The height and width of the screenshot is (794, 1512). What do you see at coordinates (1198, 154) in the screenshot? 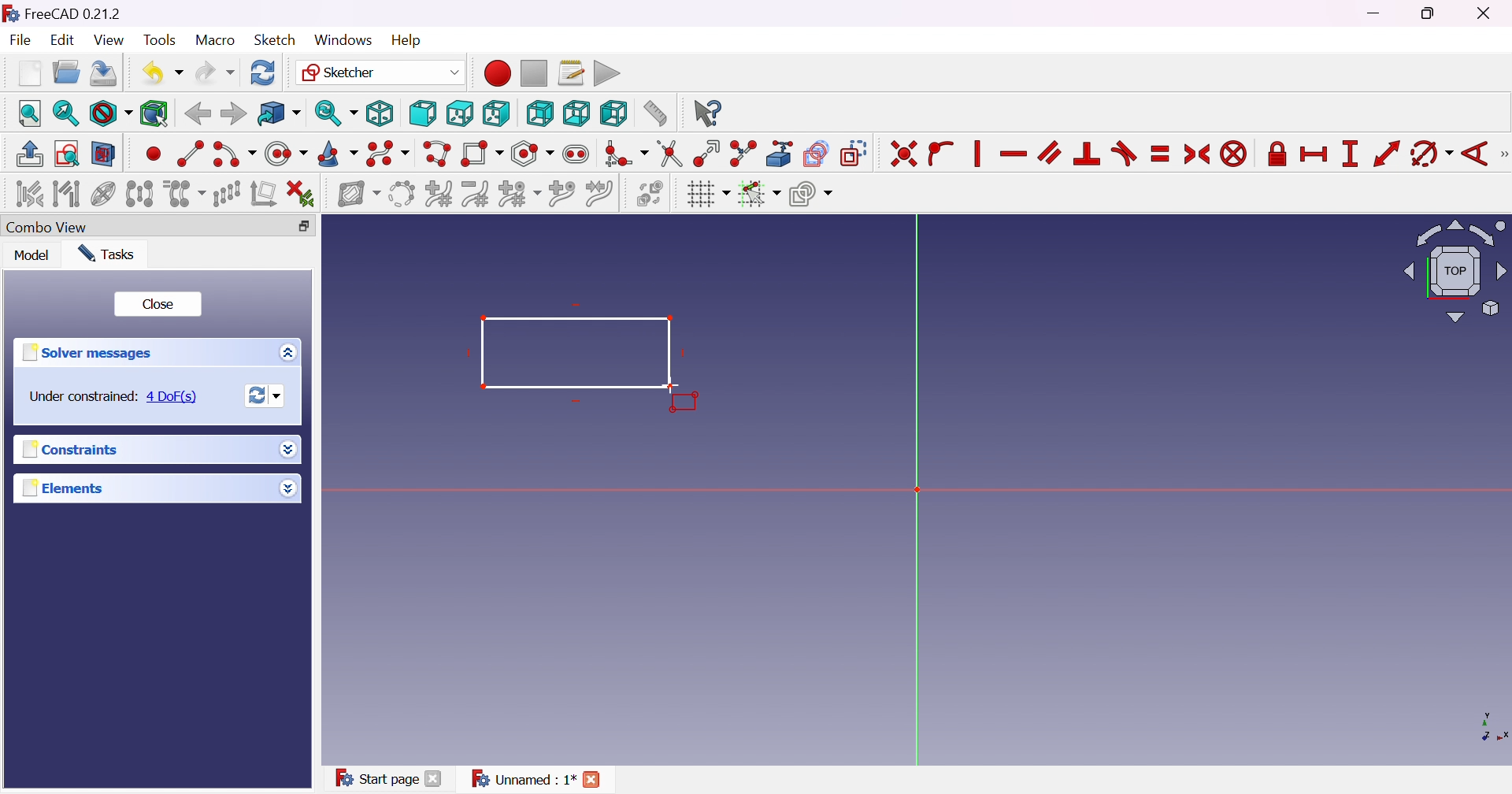
I see `Constrain symmertical` at bounding box center [1198, 154].